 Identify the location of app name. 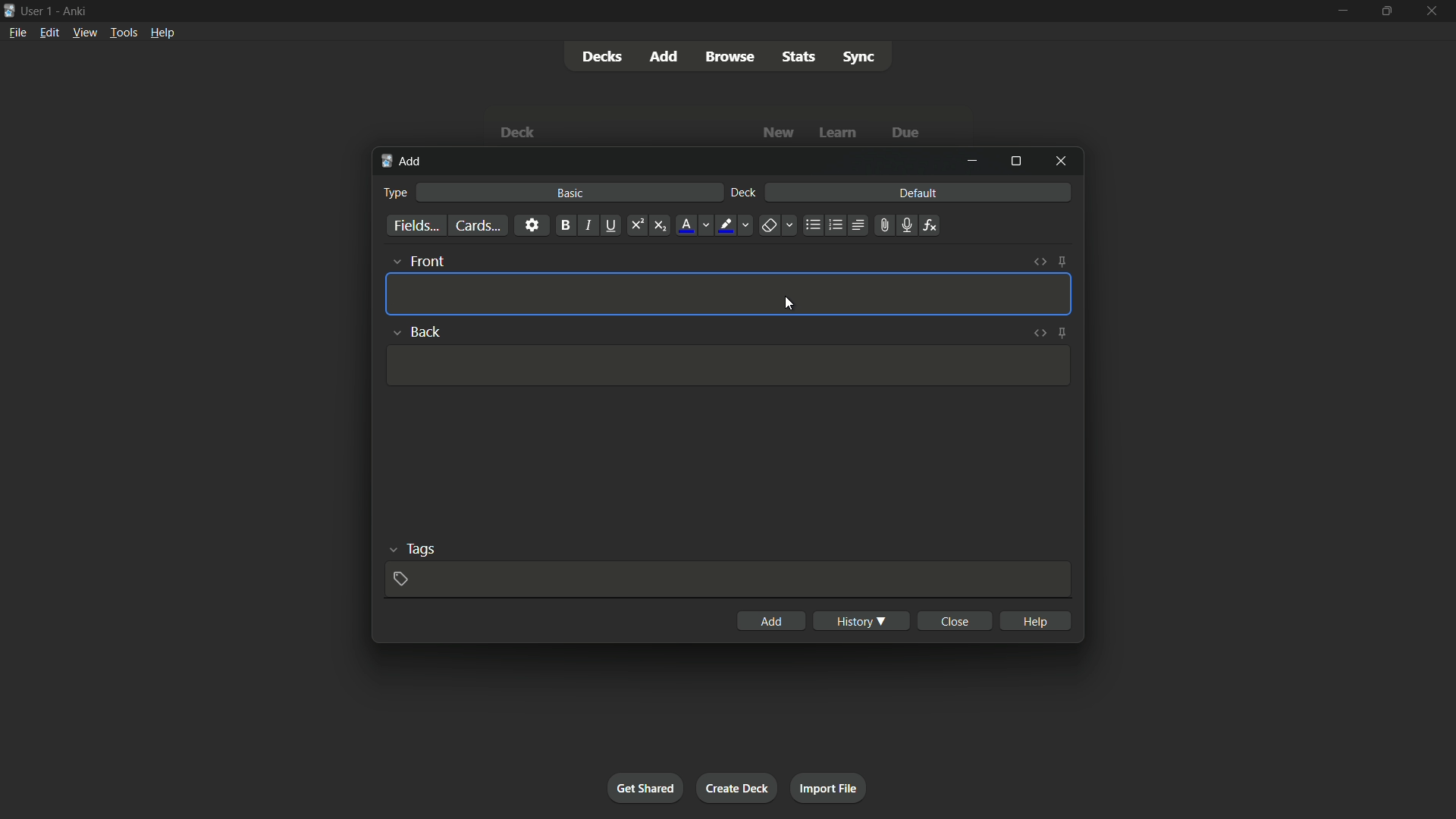
(74, 9).